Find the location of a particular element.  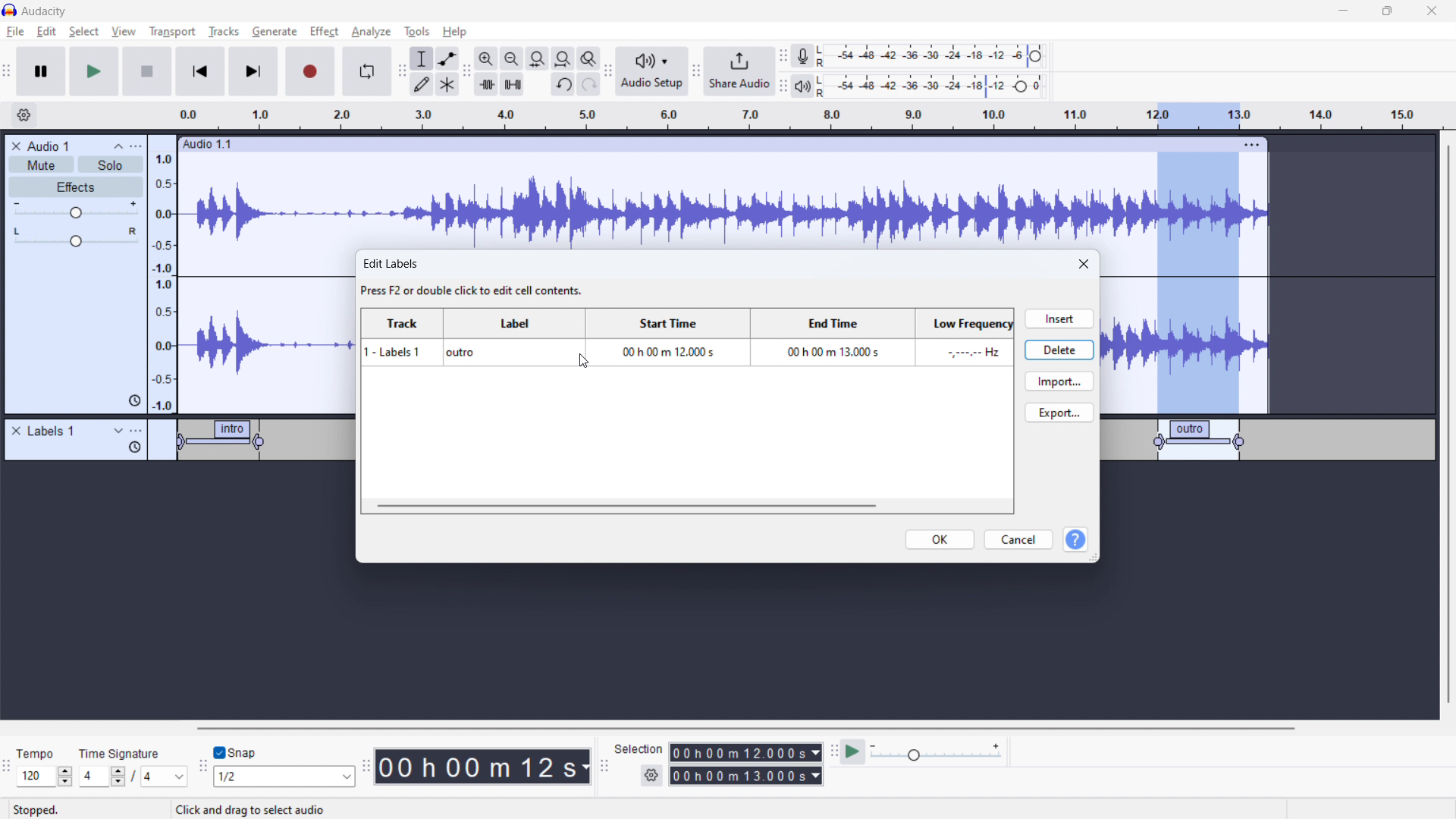

remove is located at coordinates (16, 431).